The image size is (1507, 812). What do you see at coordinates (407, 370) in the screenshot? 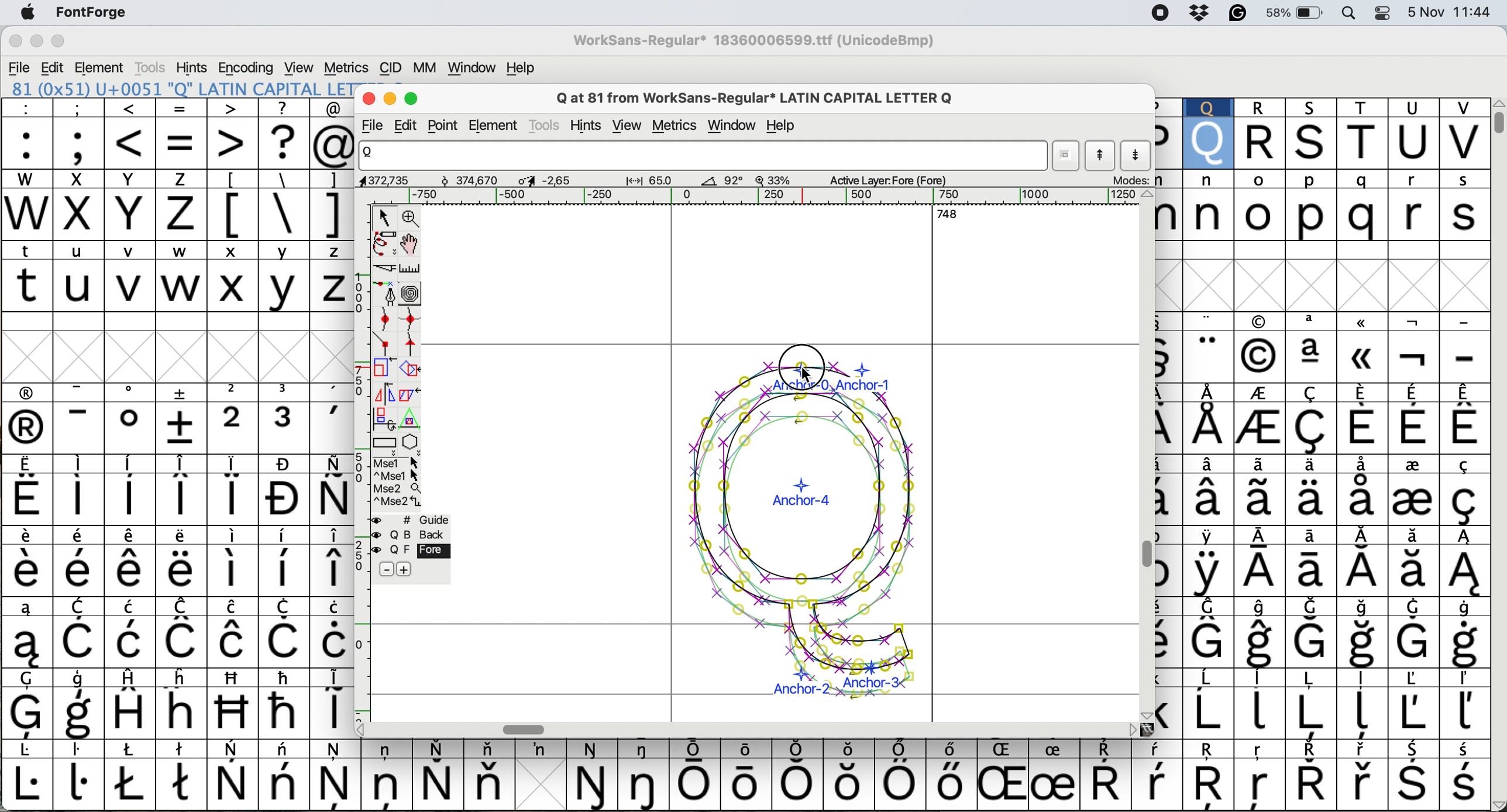
I see `rotate the selection` at bounding box center [407, 370].